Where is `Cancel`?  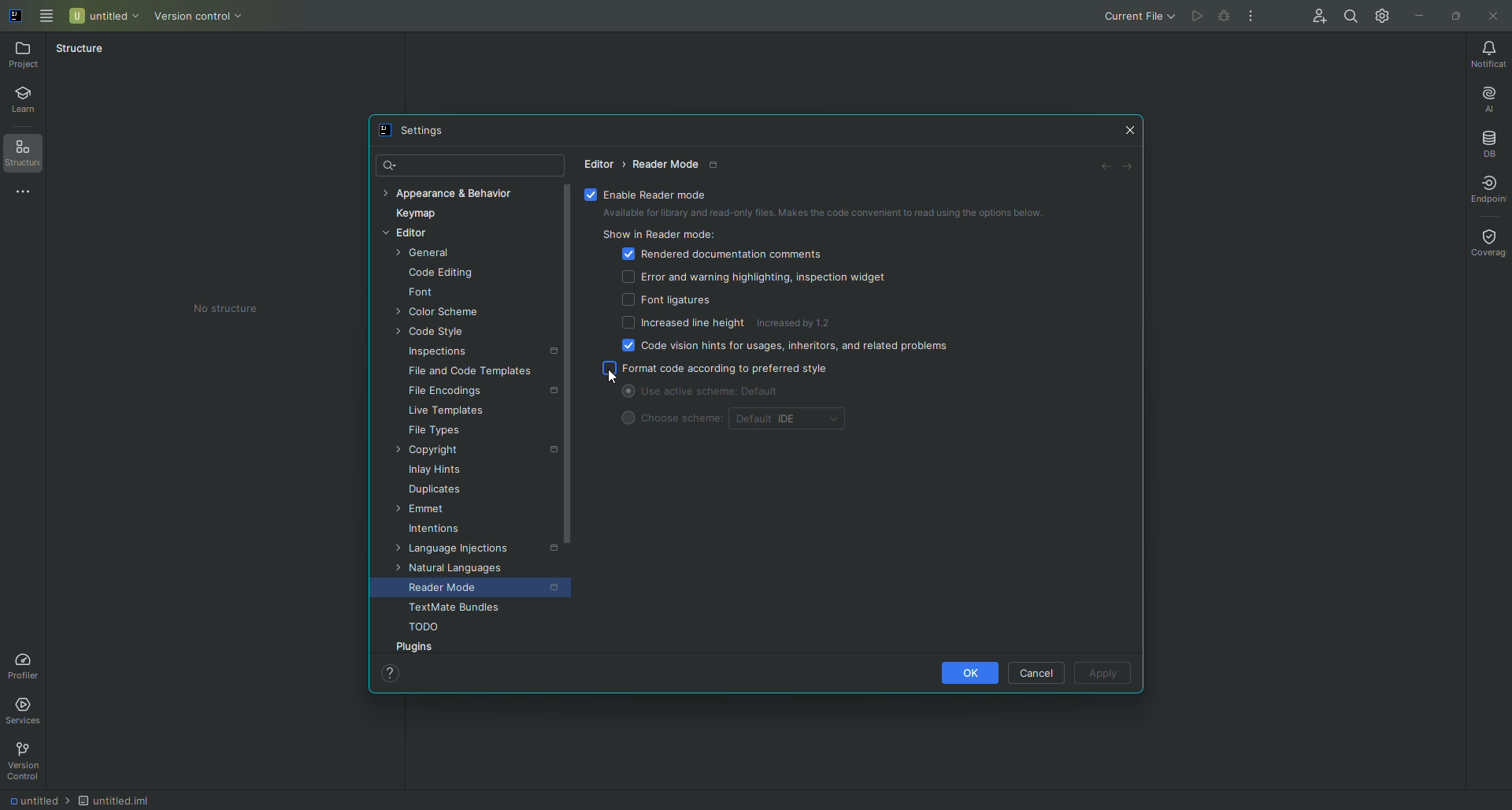 Cancel is located at coordinates (1033, 673).